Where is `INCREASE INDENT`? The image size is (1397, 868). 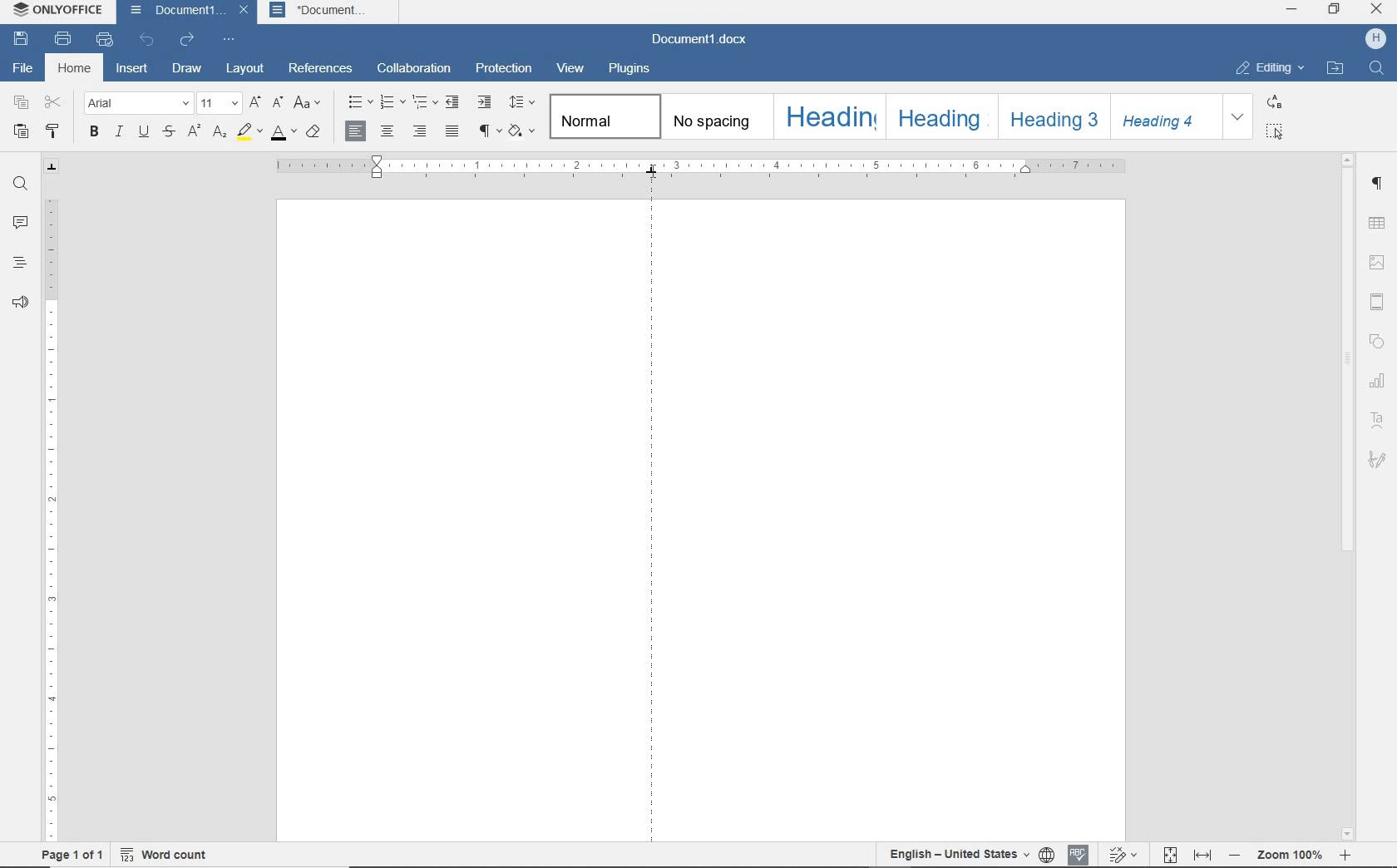 INCREASE INDENT is located at coordinates (485, 103).